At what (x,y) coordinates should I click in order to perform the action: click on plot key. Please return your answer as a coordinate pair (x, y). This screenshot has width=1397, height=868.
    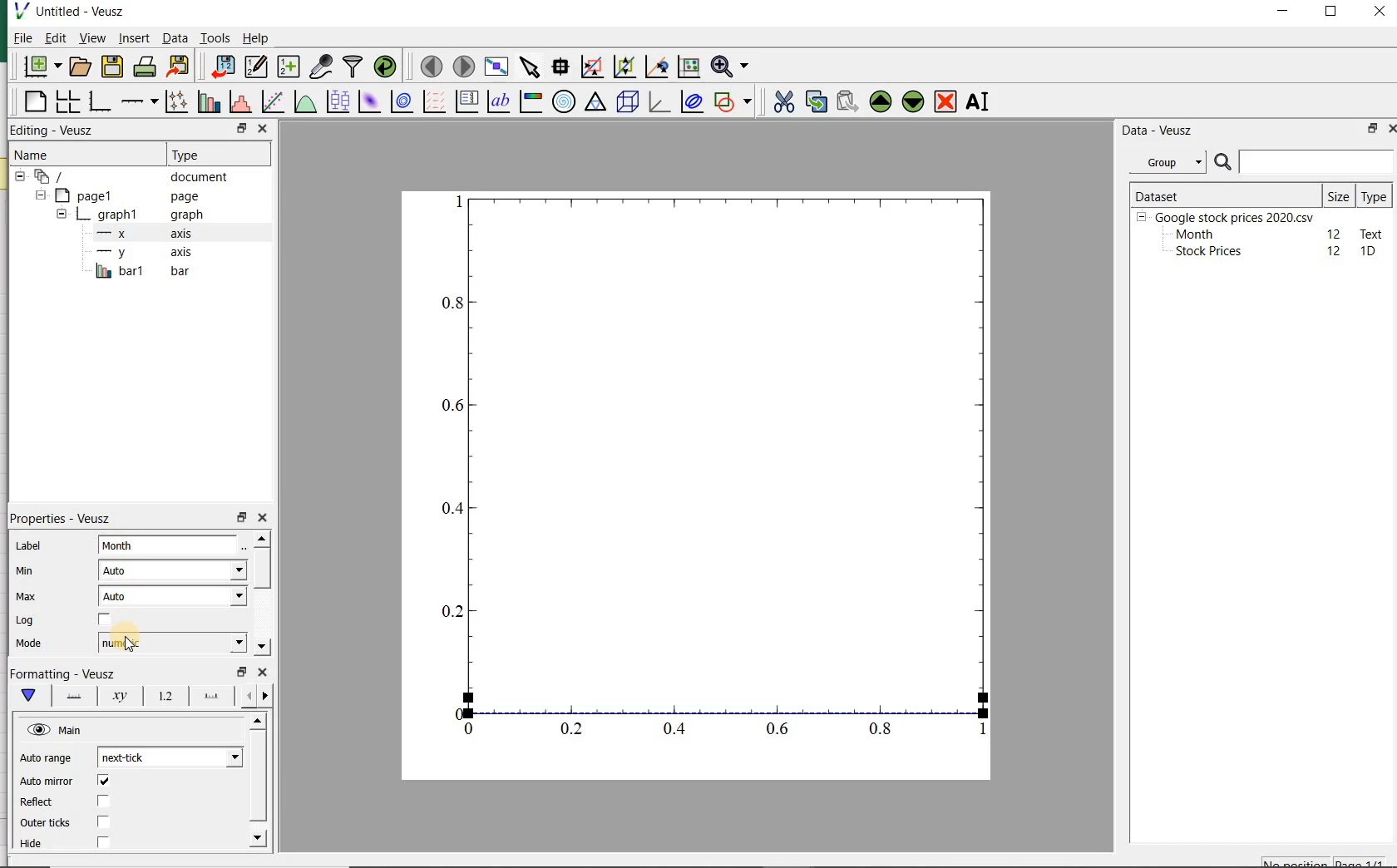
    Looking at the image, I should click on (466, 103).